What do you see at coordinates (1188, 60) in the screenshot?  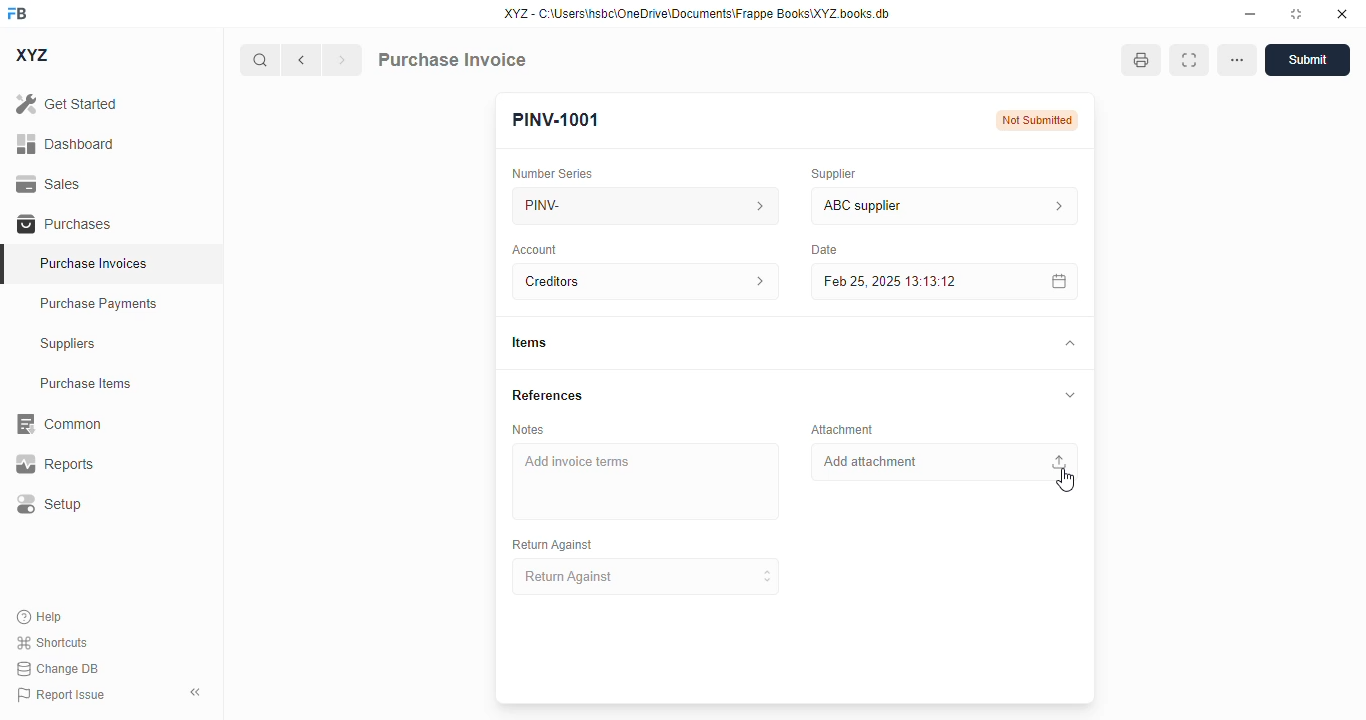 I see `toggle between form and full width` at bounding box center [1188, 60].